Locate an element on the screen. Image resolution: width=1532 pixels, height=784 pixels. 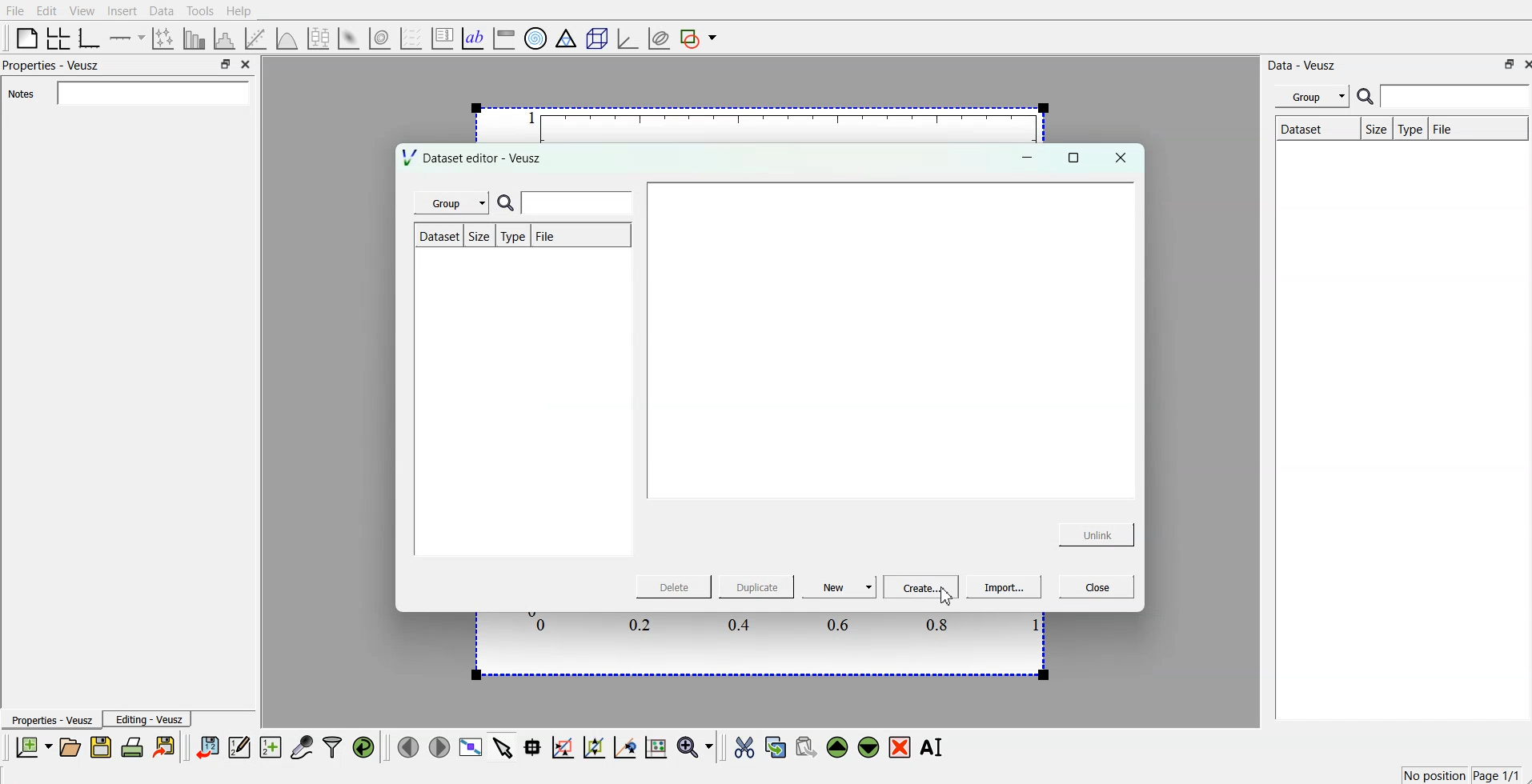
minimise is located at coordinates (225, 62).